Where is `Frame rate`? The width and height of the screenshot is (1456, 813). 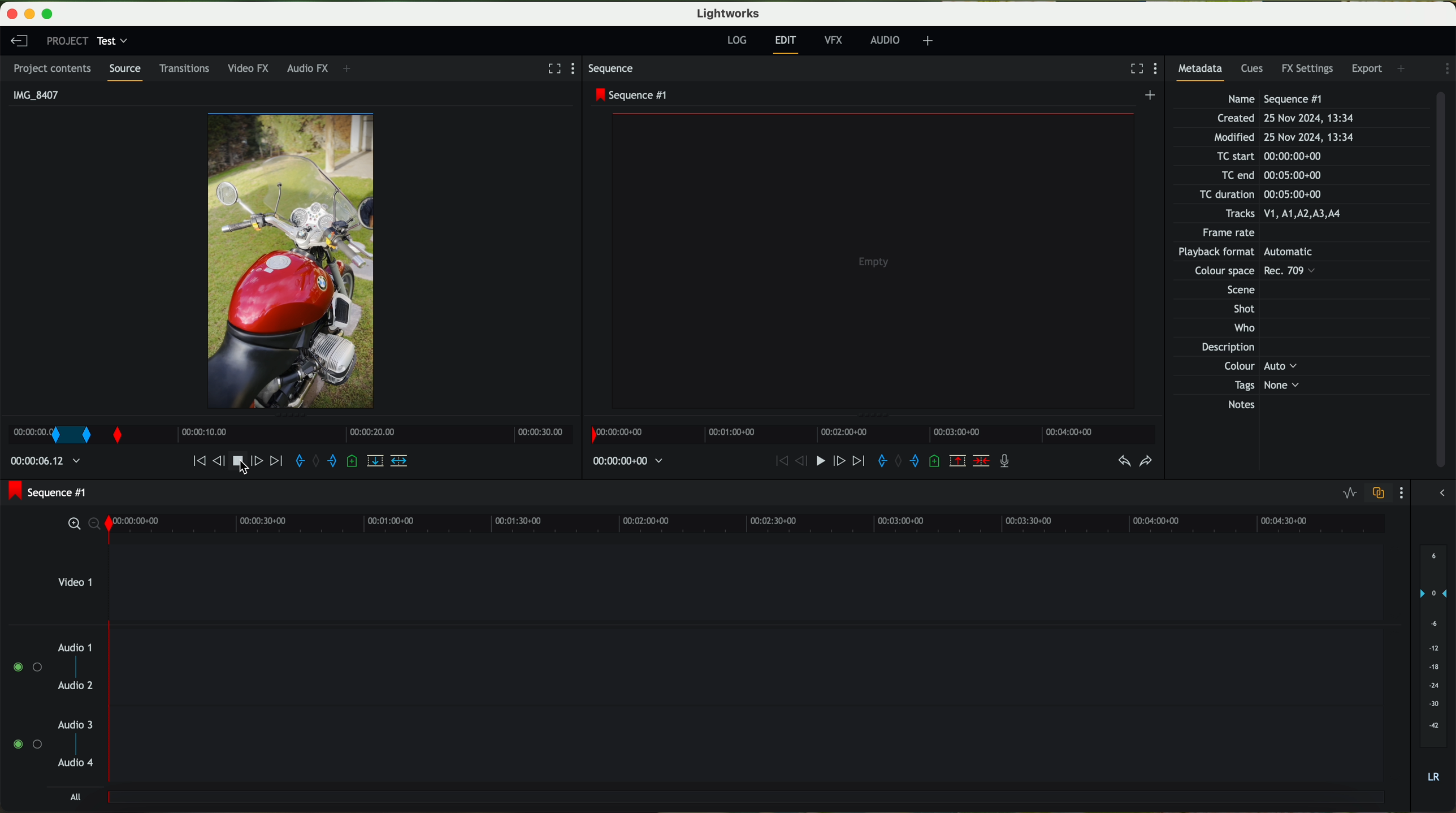
Frame rate is located at coordinates (1232, 235).